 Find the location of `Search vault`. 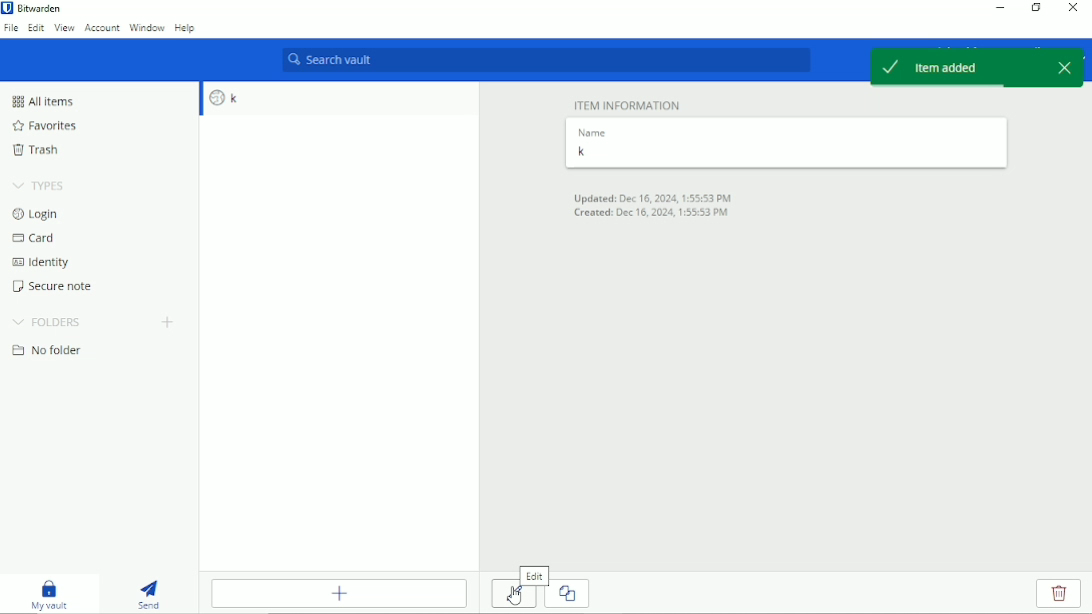

Search vault is located at coordinates (545, 61).